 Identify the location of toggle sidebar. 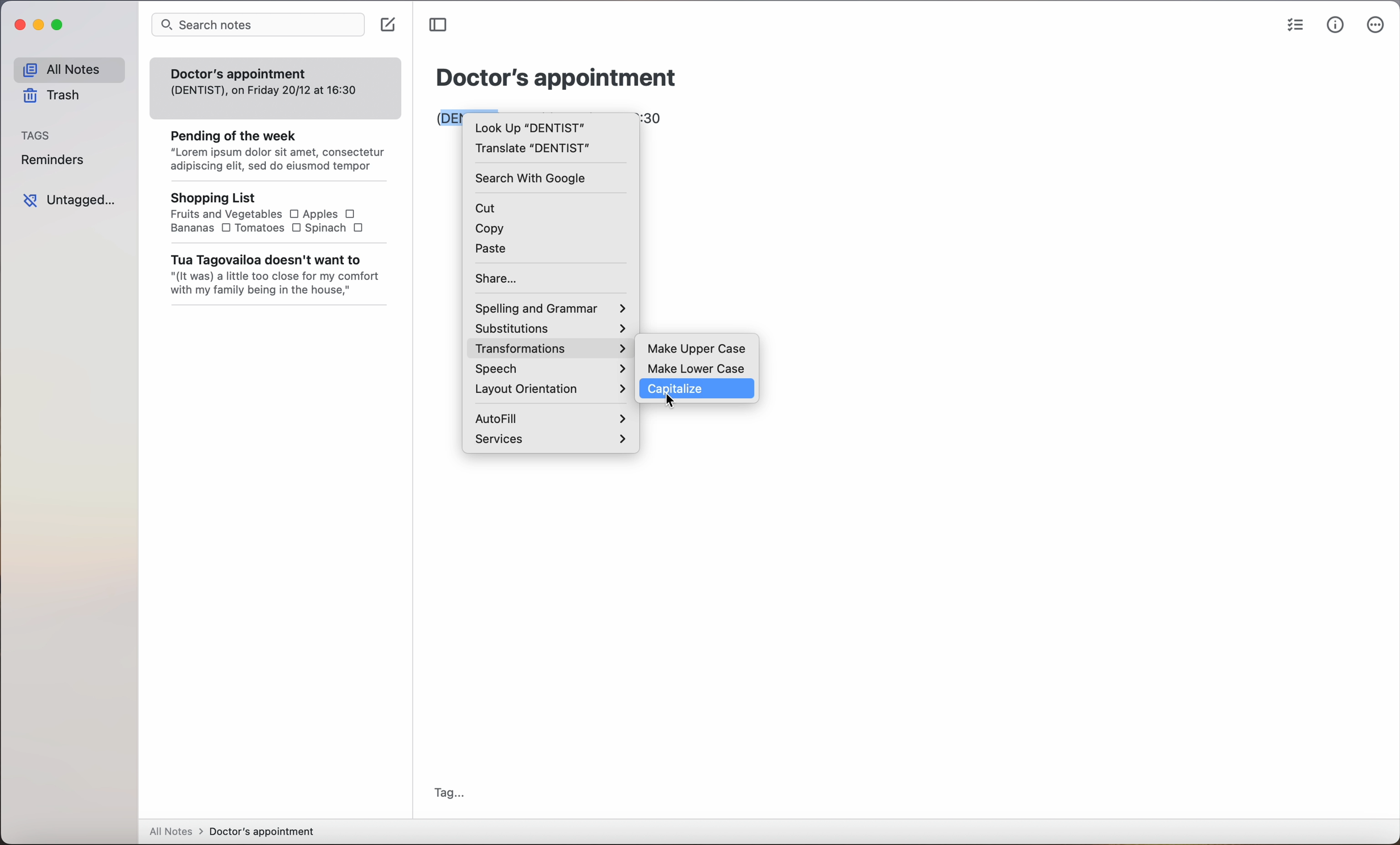
(441, 25).